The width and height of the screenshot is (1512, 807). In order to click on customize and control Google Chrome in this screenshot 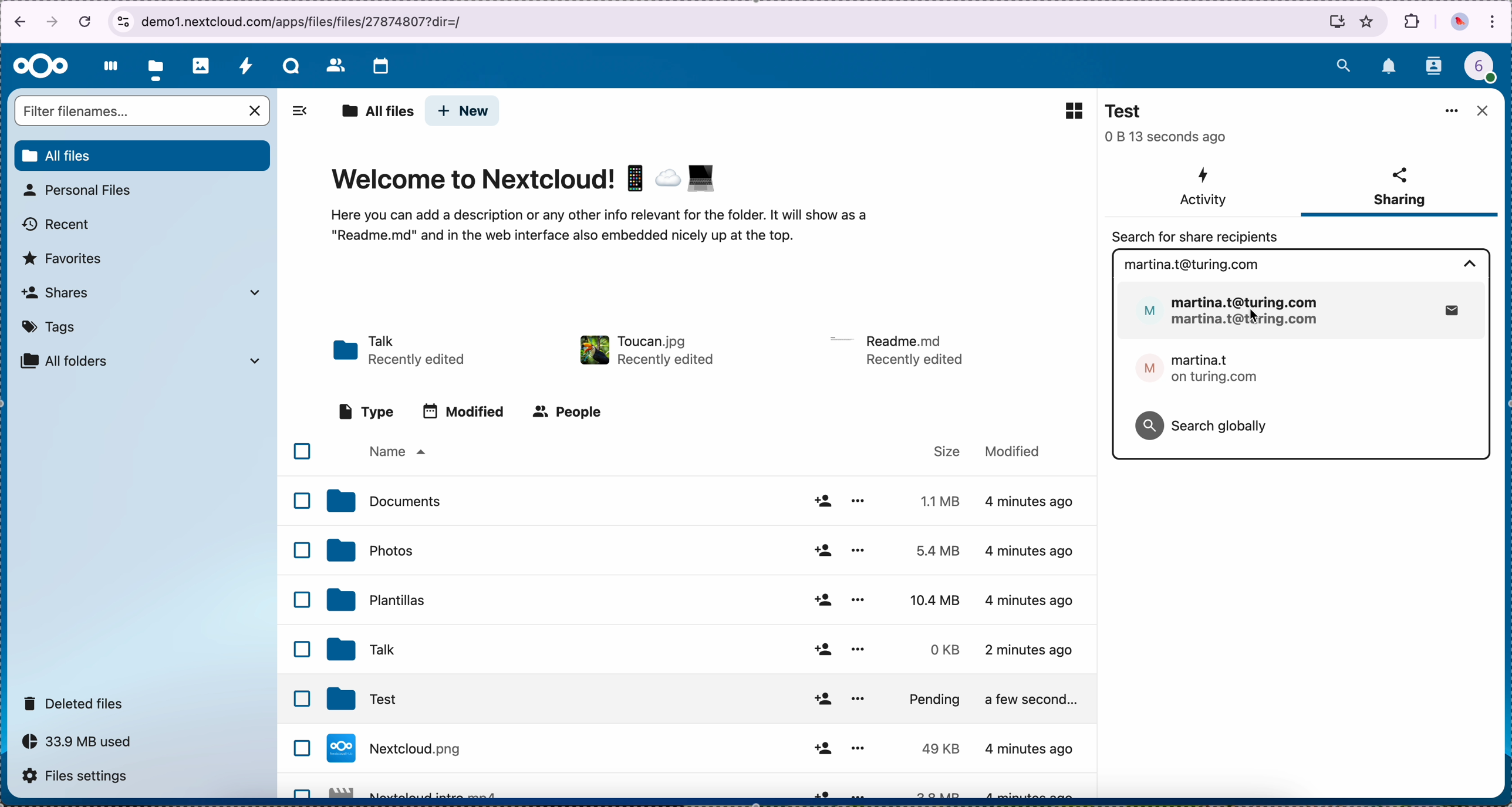, I will do `click(1493, 23)`.